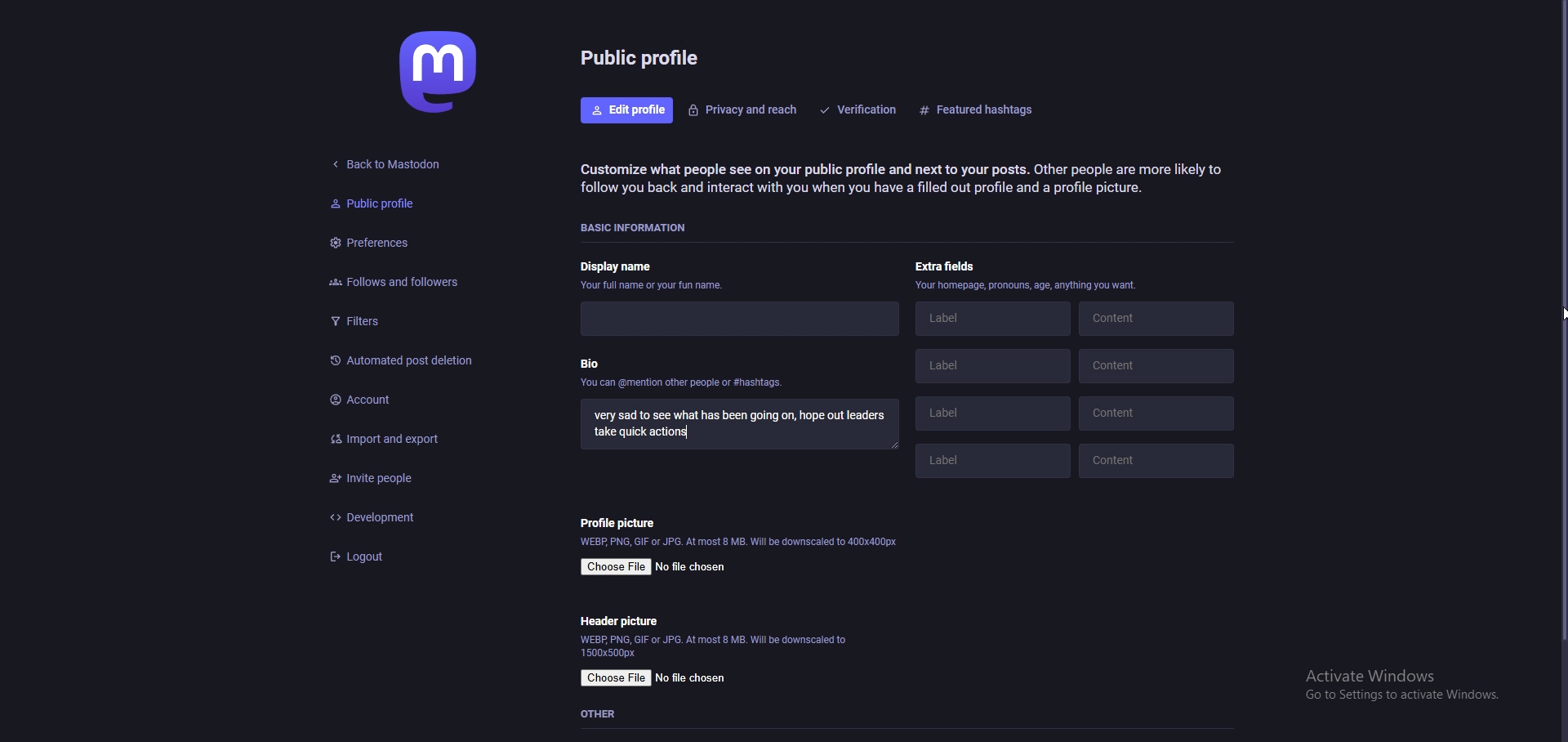 This screenshot has height=742, width=1568. Describe the element at coordinates (403, 242) in the screenshot. I see `preferences` at that location.